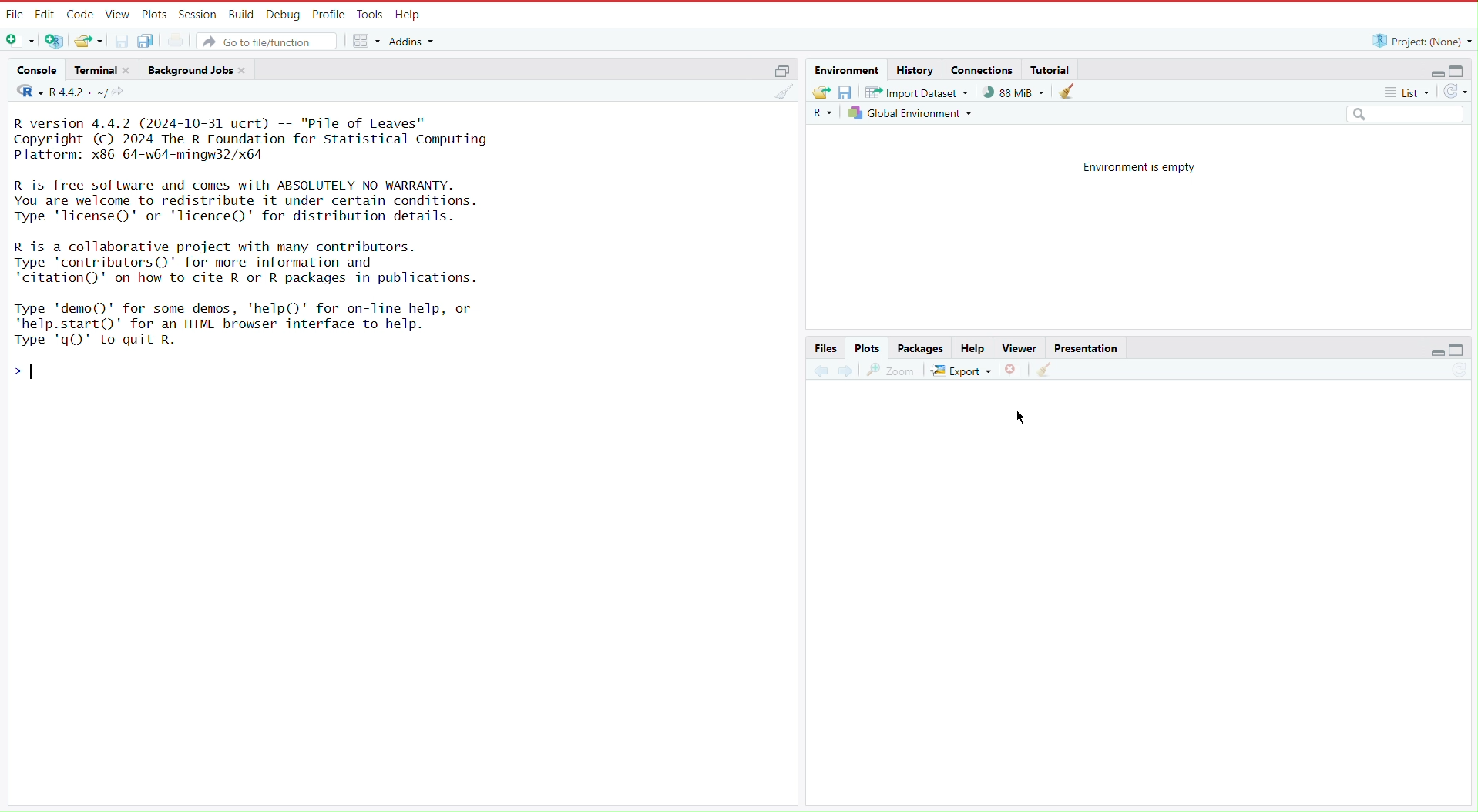  I want to click on History, so click(915, 69).